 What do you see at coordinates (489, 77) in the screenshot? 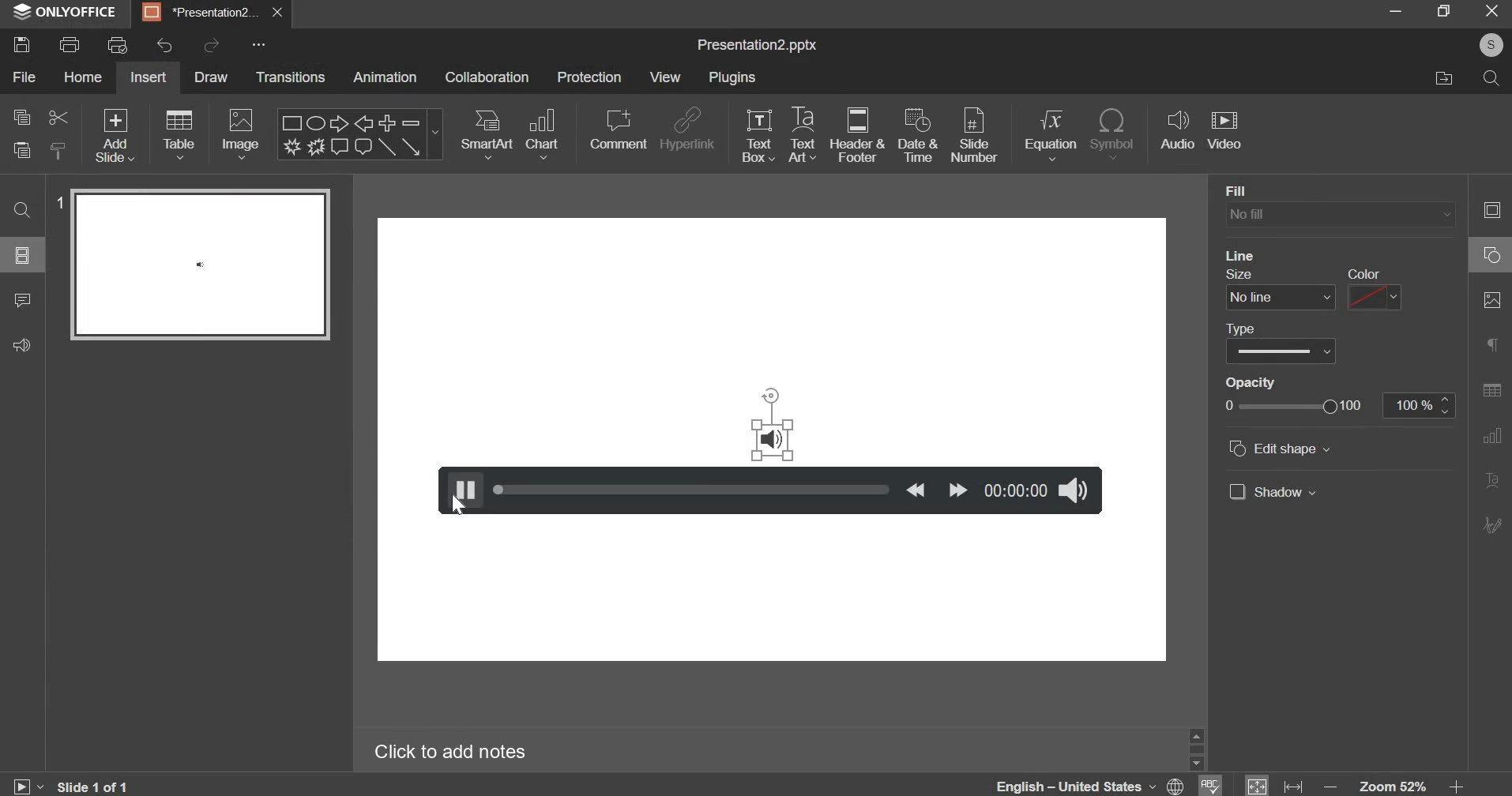
I see `collaboration` at bounding box center [489, 77].